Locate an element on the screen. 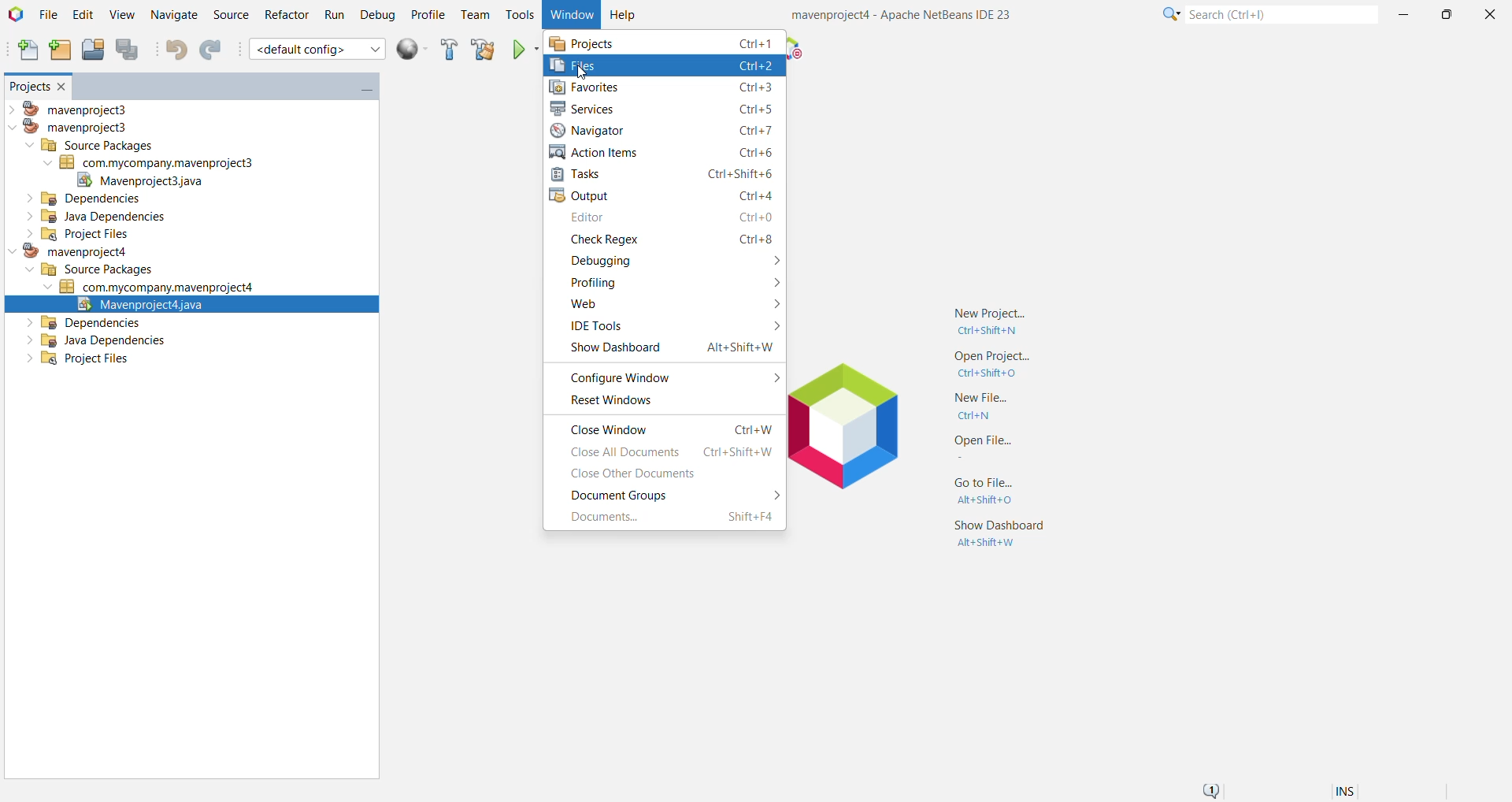 This screenshot has width=1512, height=802.  is located at coordinates (668, 496).